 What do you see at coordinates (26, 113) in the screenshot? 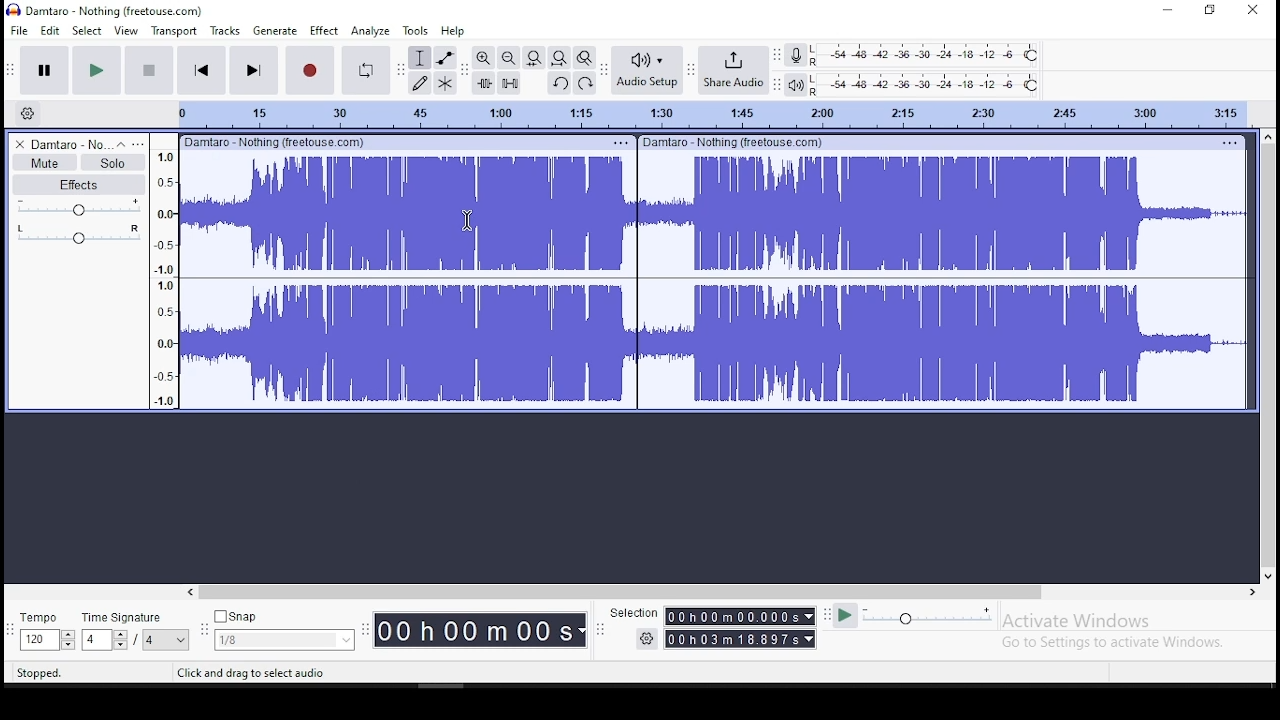
I see `timeline settings` at bounding box center [26, 113].